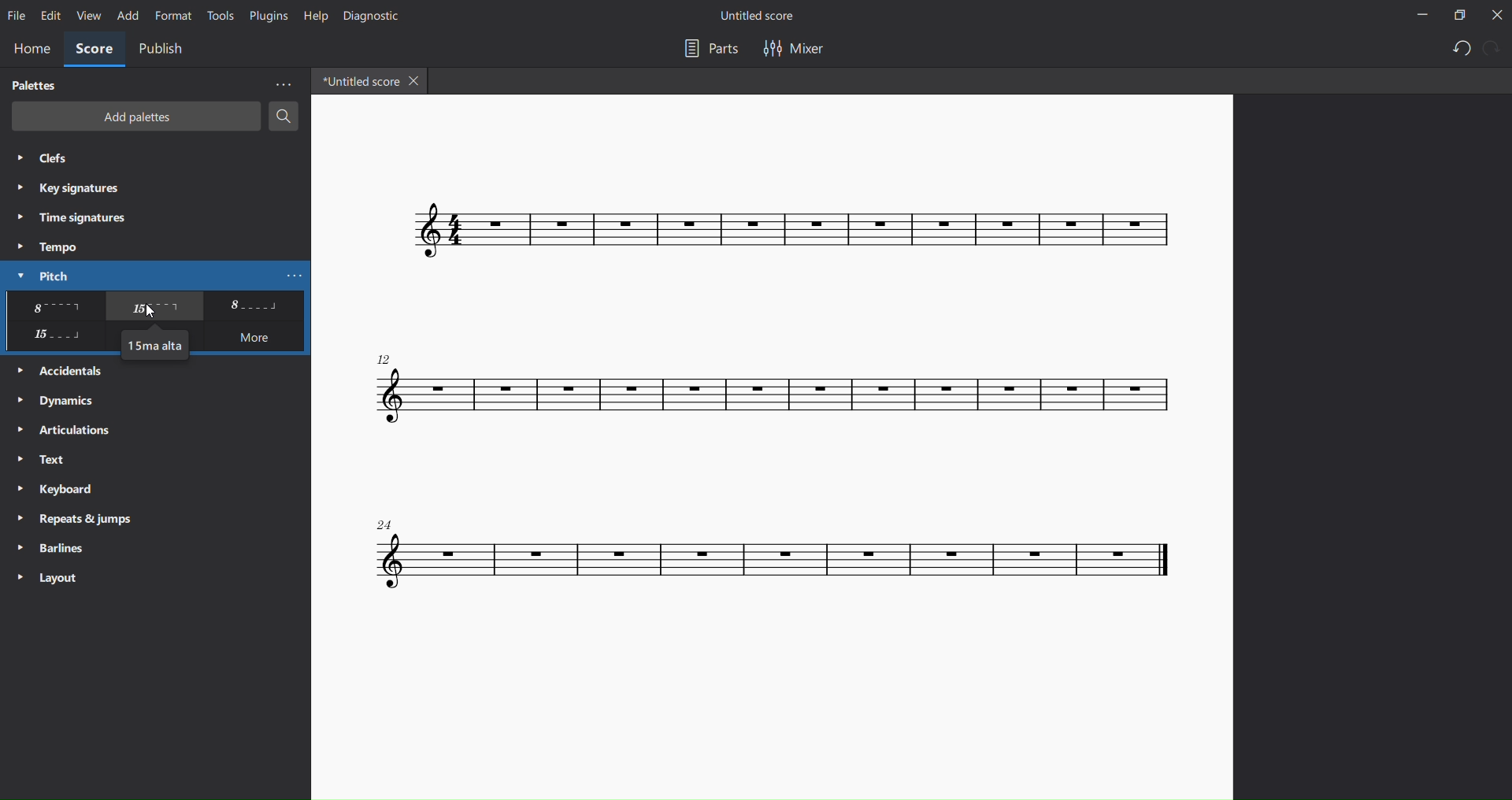  I want to click on plugins, so click(265, 15).